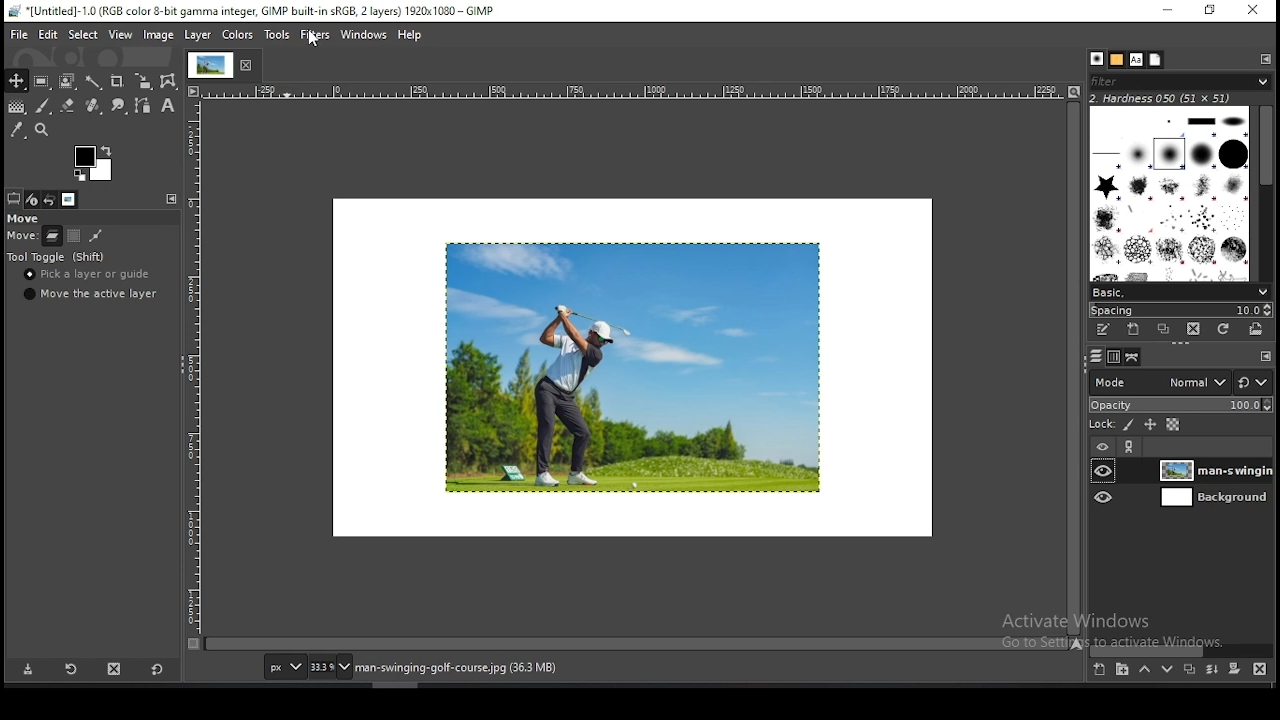 The width and height of the screenshot is (1280, 720). I want to click on save tool preset, so click(29, 670).